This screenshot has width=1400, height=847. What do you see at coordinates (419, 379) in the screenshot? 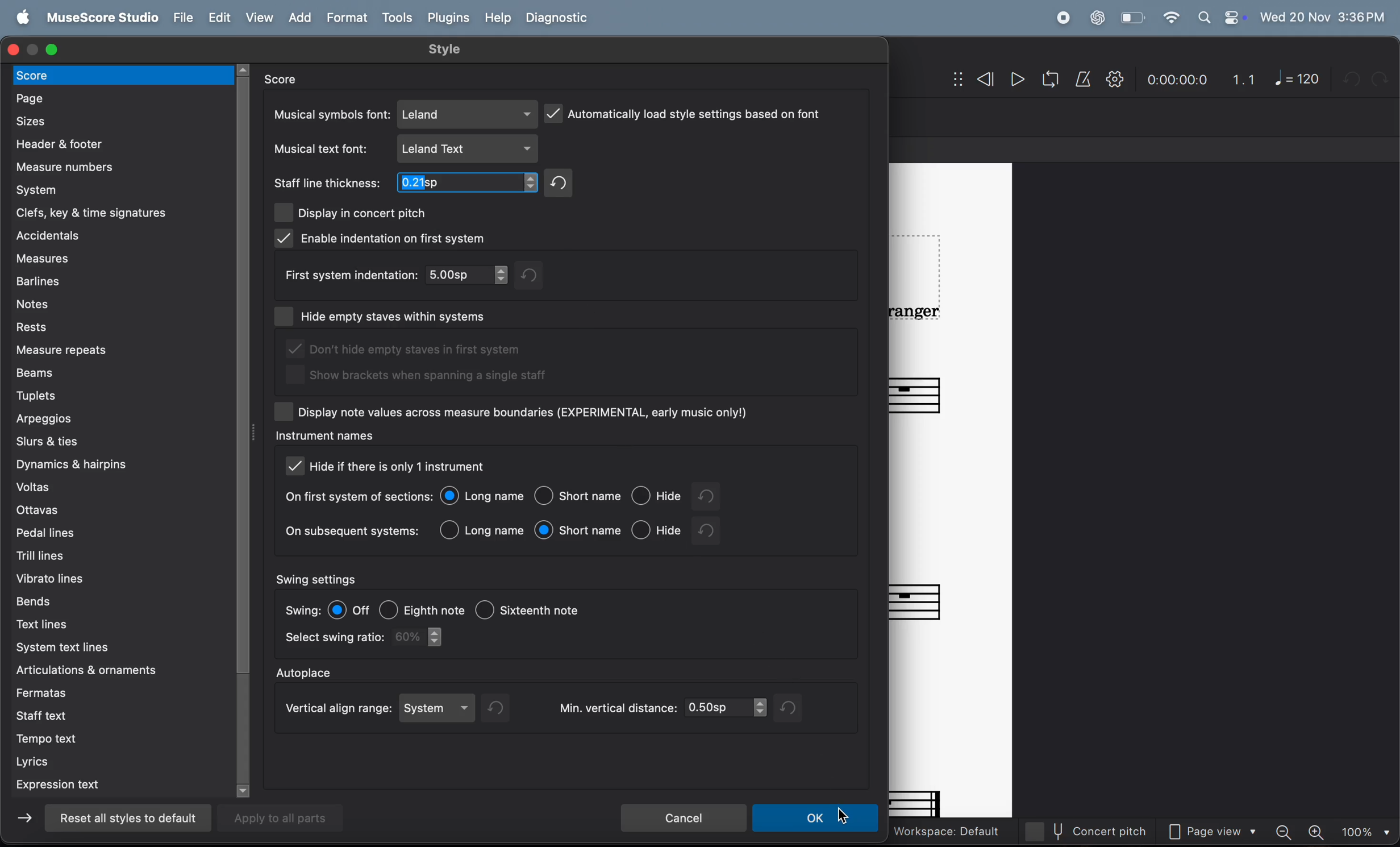
I see `show brackets` at bounding box center [419, 379].